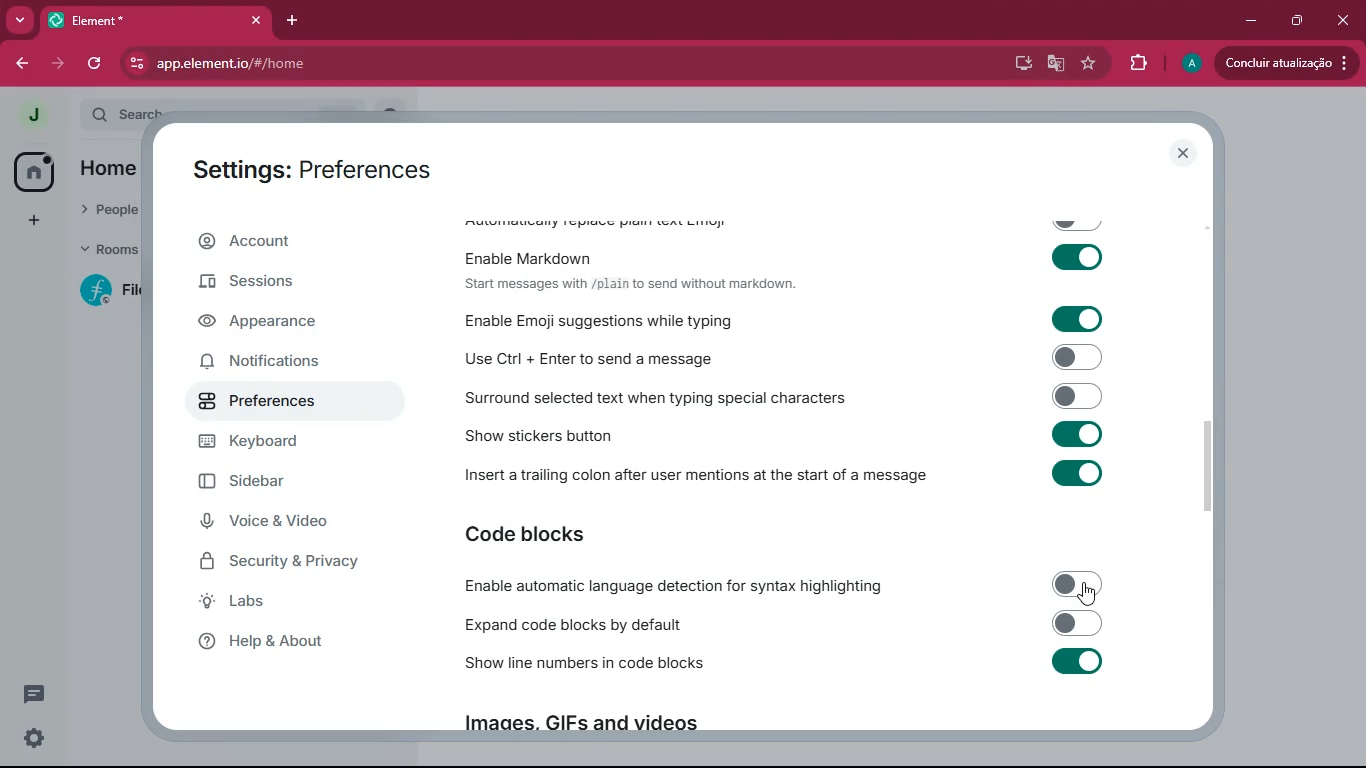  I want to click on close, so click(1345, 20).